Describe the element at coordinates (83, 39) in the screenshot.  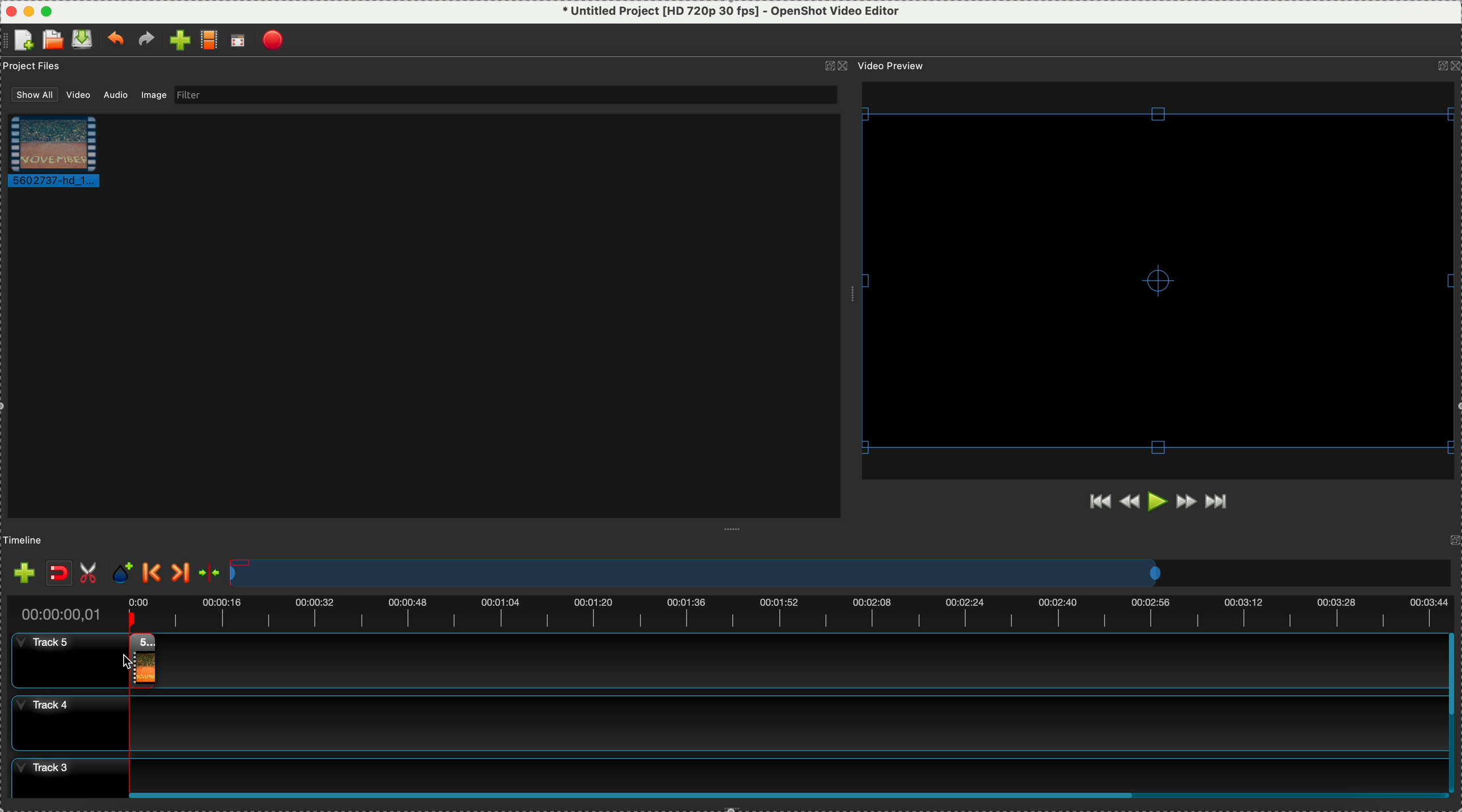
I see `save file` at that location.